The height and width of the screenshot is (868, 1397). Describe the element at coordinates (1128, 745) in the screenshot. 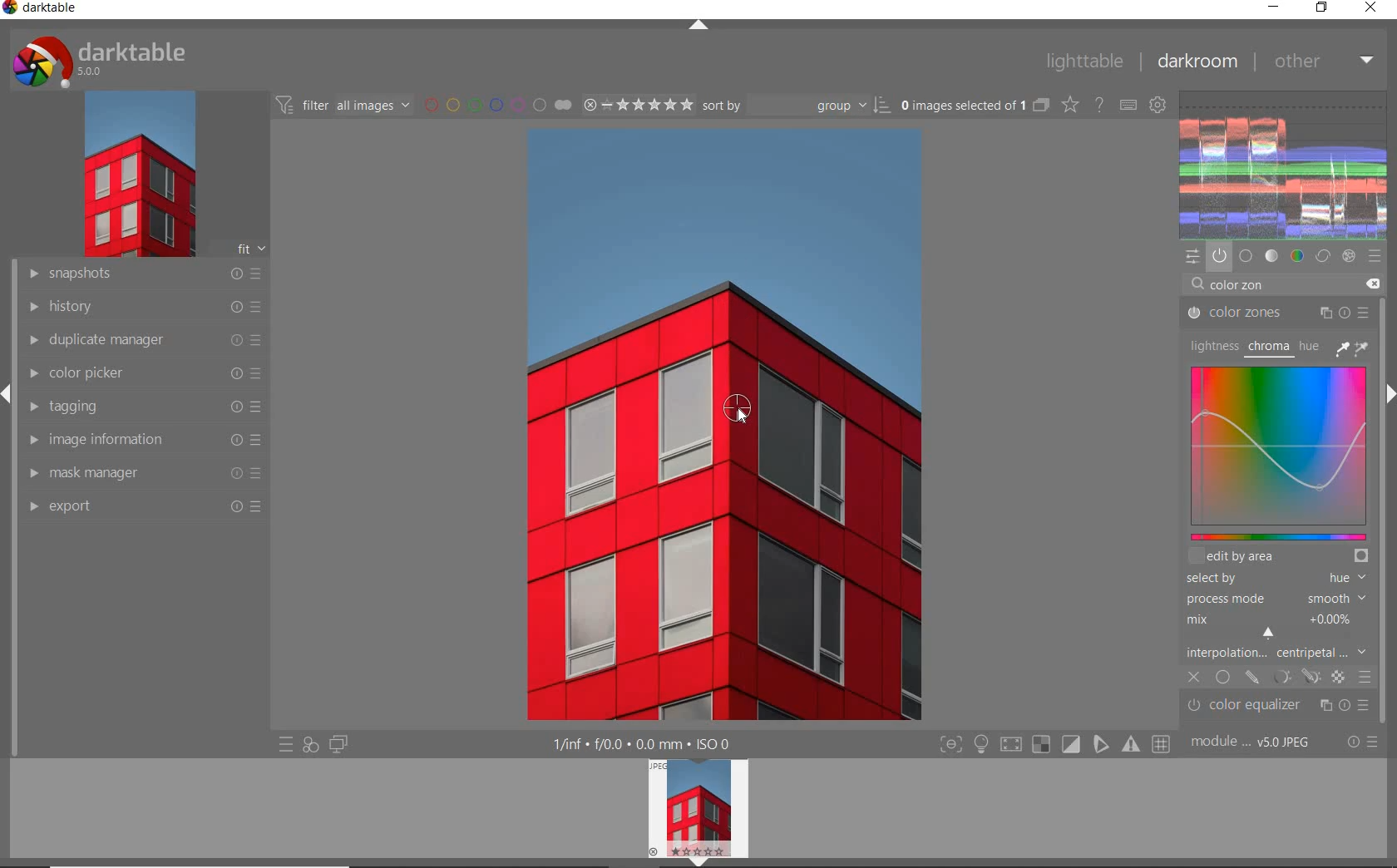

I see `focus mask` at that location.